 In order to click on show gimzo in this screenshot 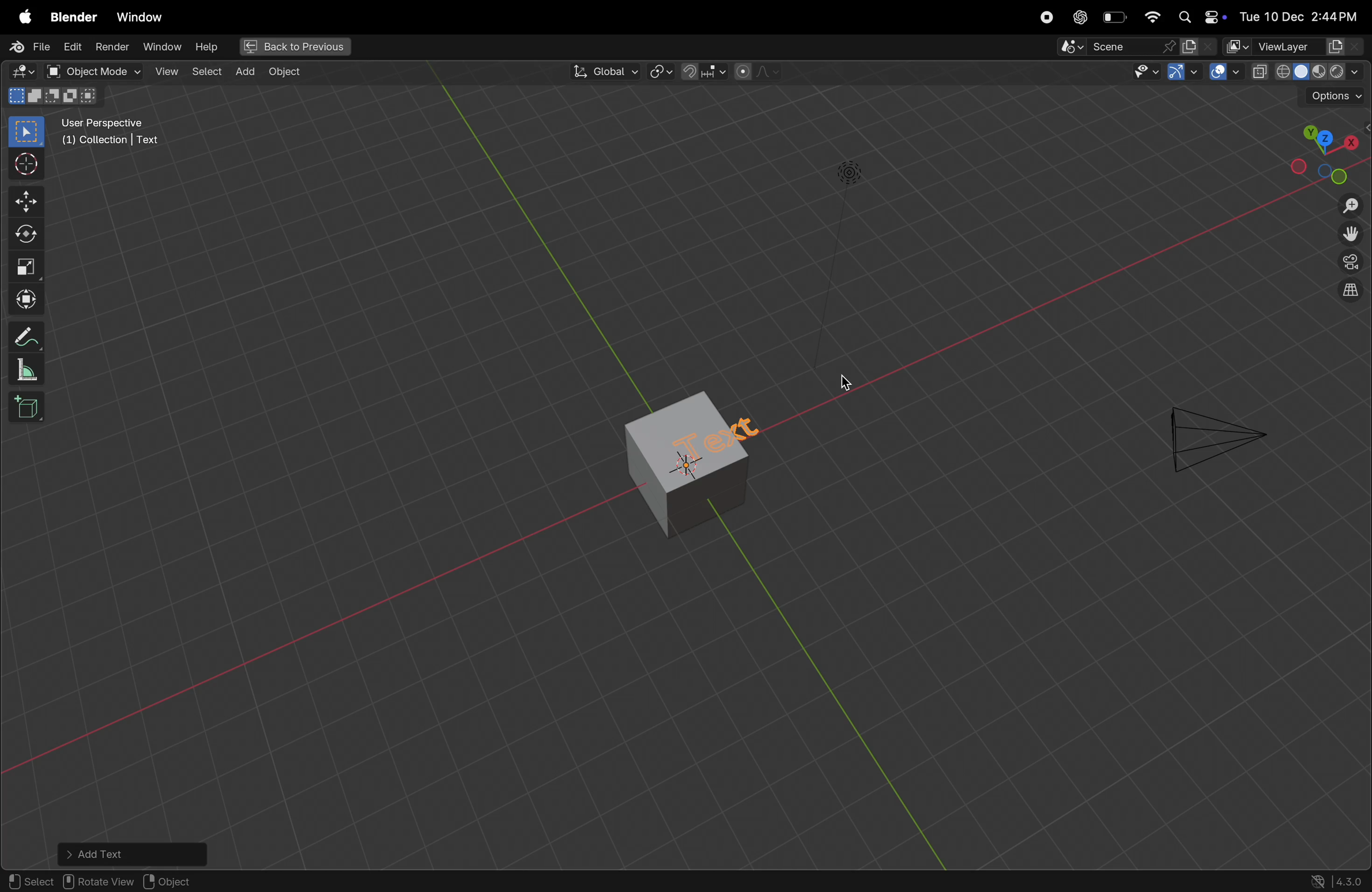, I will do `click(1182, 74)`.